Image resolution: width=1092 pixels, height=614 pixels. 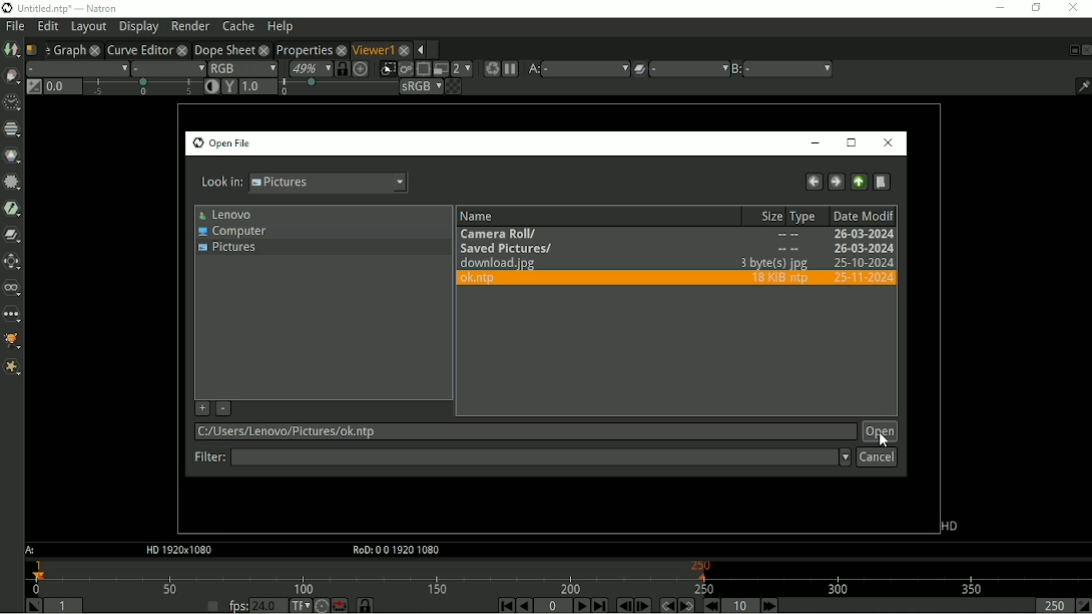 I want to click on fps, so click(x=238, y=605).